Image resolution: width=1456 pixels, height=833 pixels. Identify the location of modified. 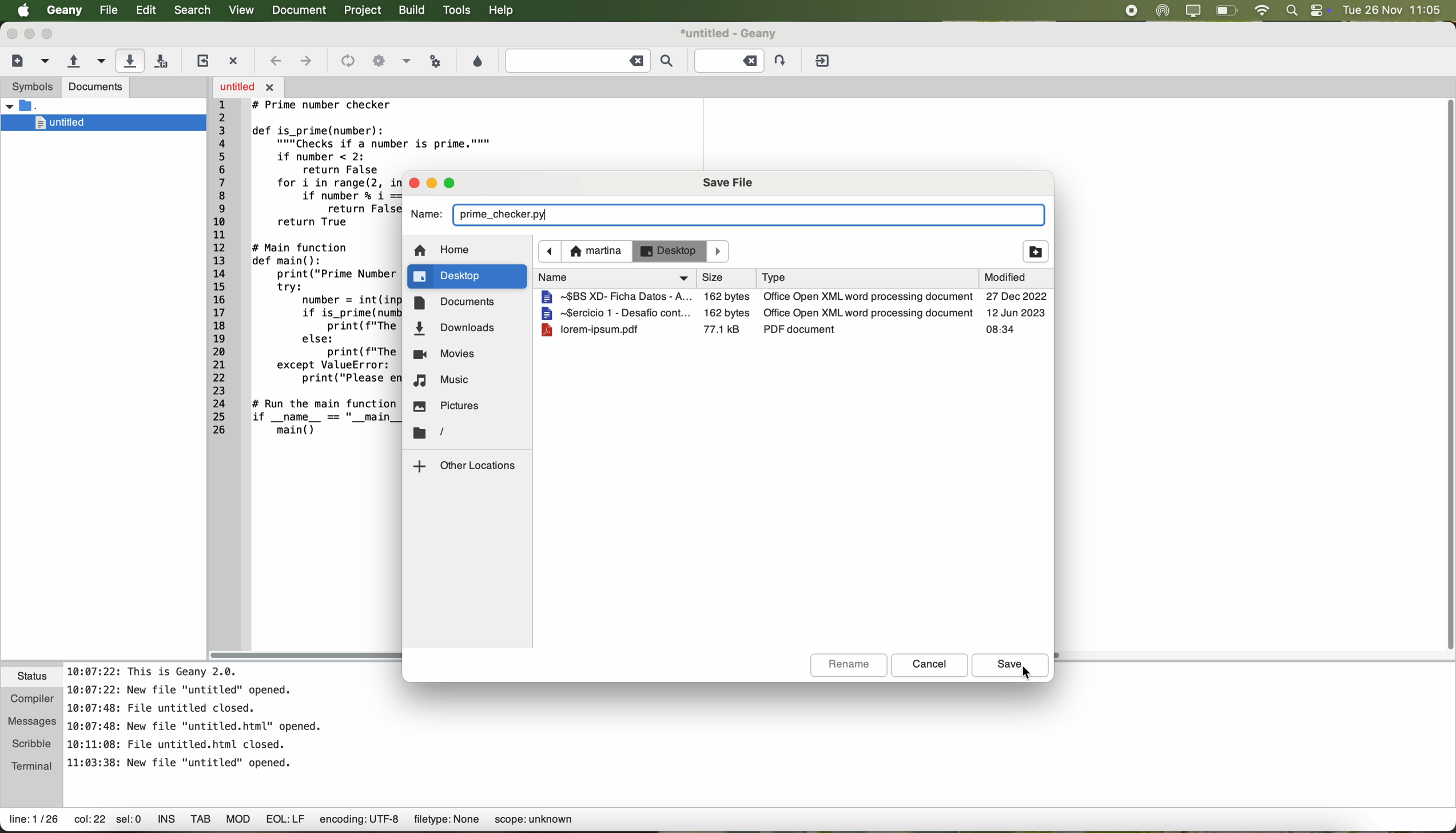
(1022, 279).